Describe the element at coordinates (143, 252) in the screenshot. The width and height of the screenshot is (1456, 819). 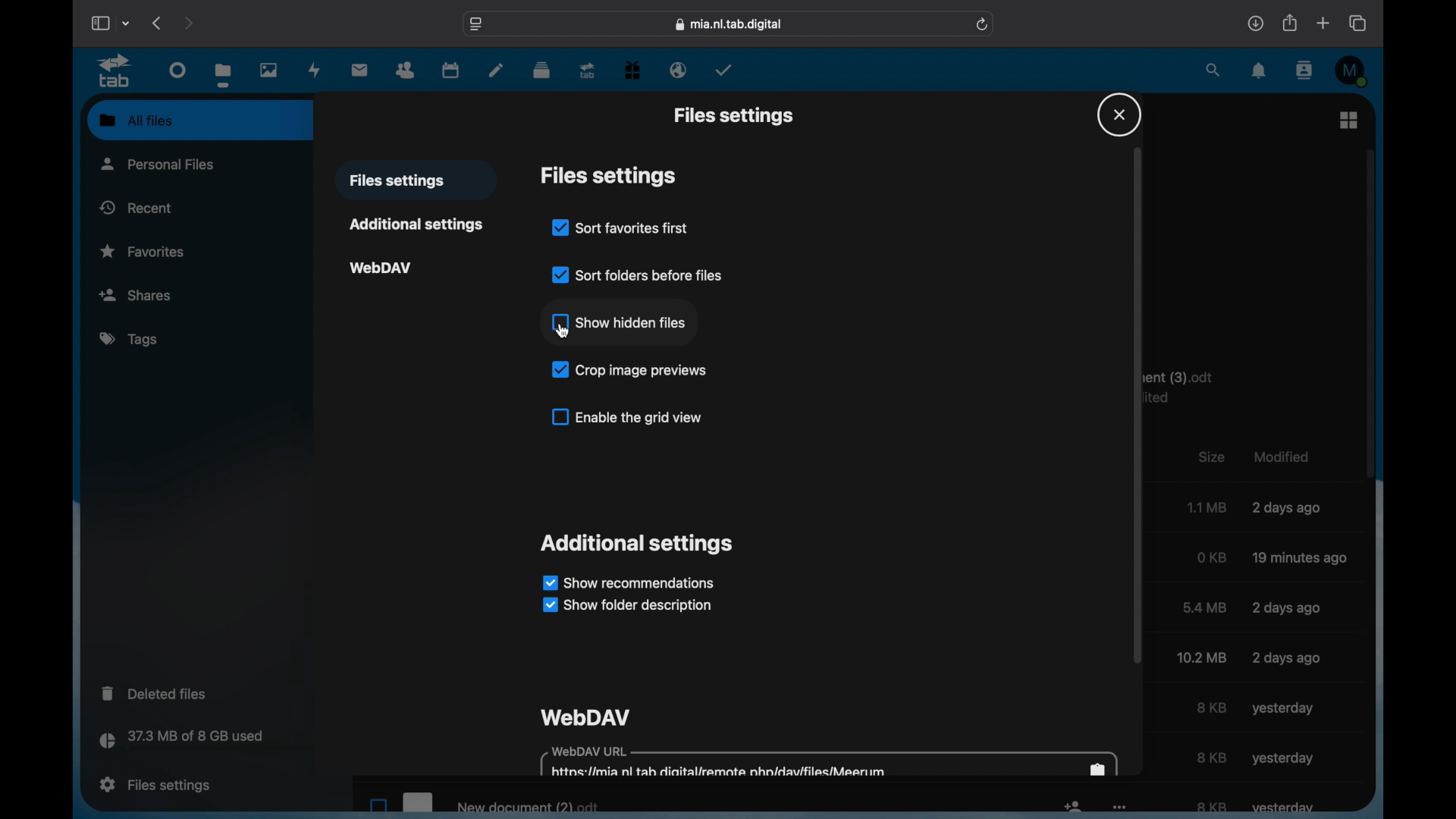
I see `favorites` at that location.